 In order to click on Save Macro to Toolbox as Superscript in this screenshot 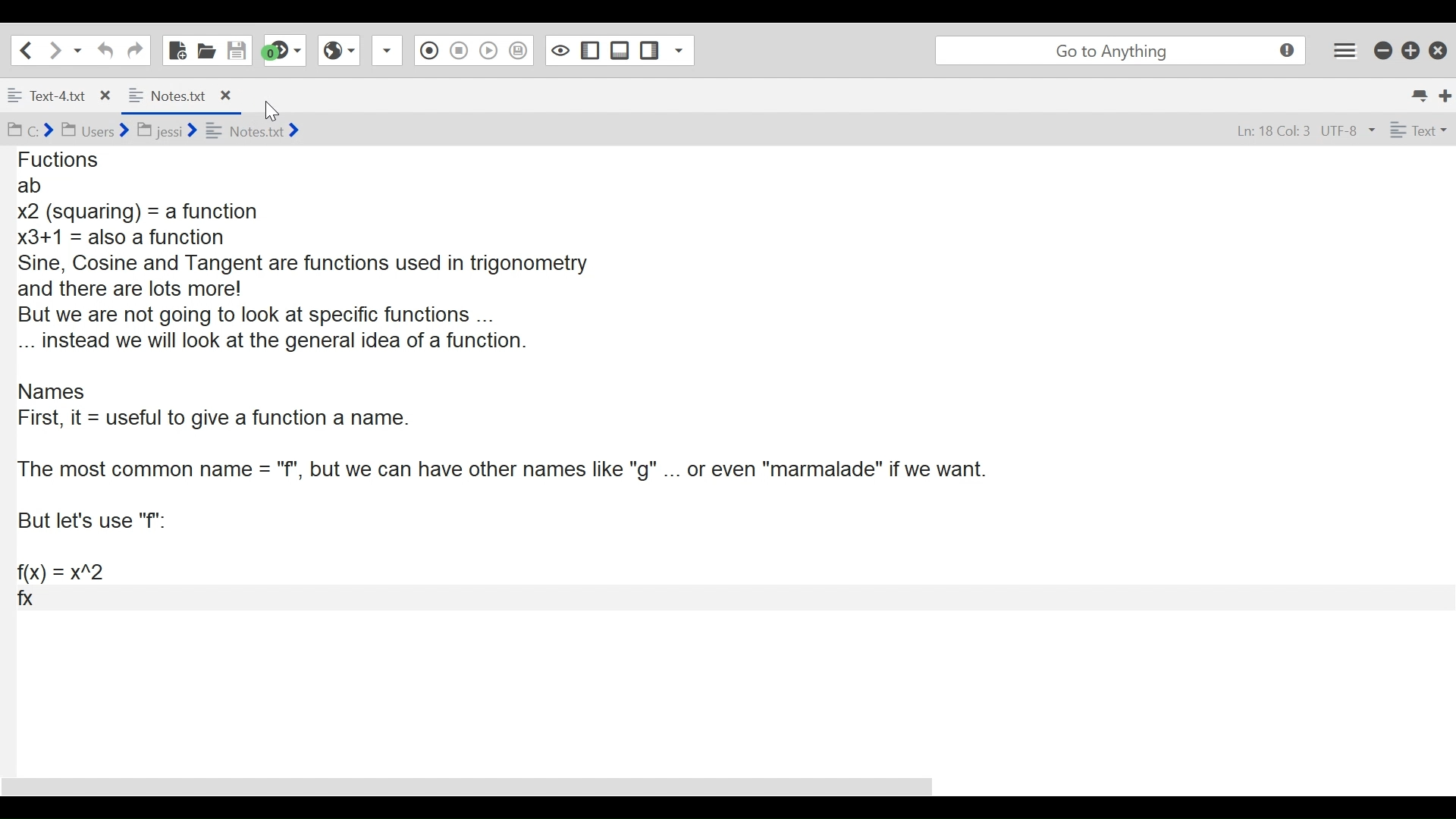, I will do `click(519, 49)`.